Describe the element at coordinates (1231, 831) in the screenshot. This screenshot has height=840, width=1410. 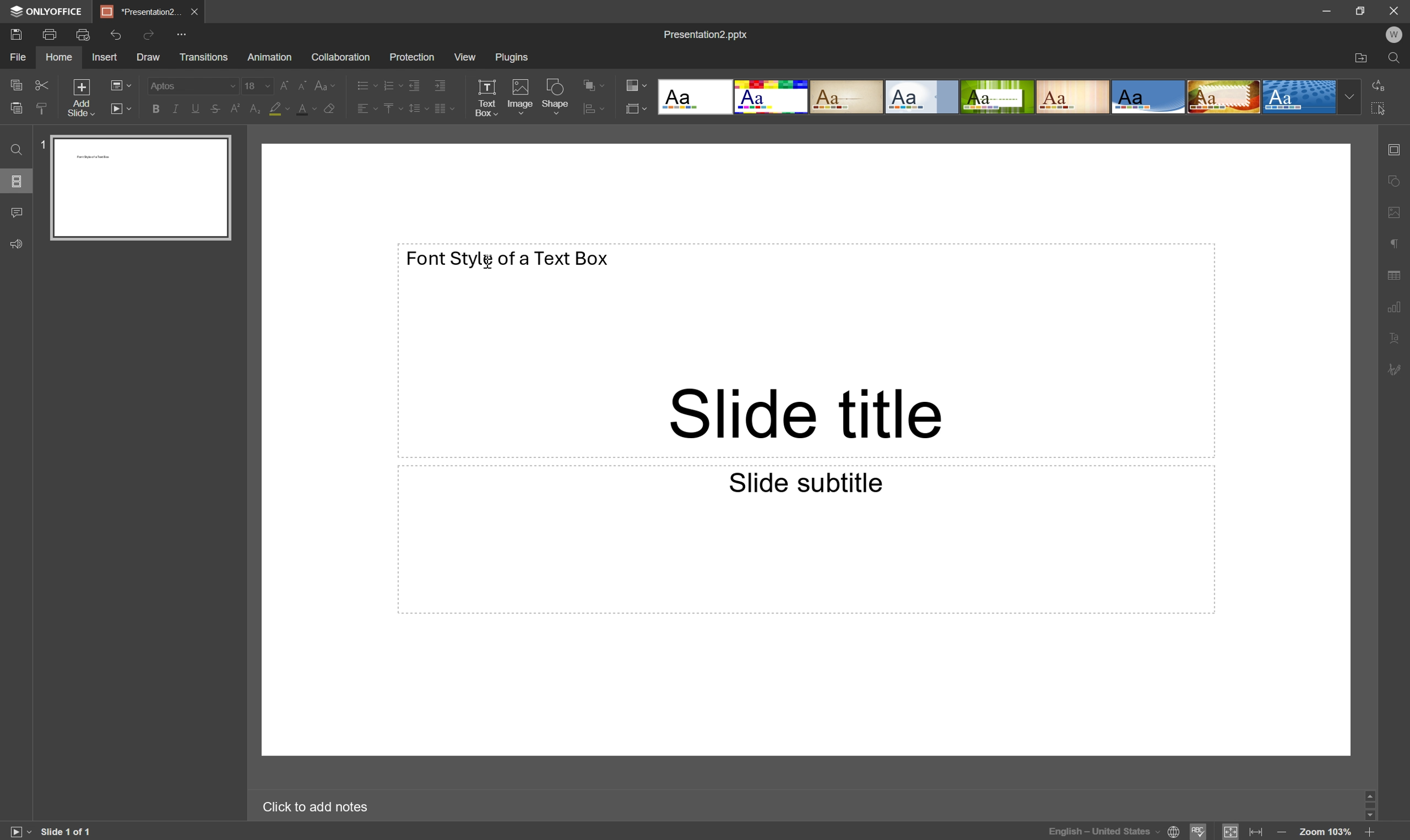
I see `Fit to slide` at that location.